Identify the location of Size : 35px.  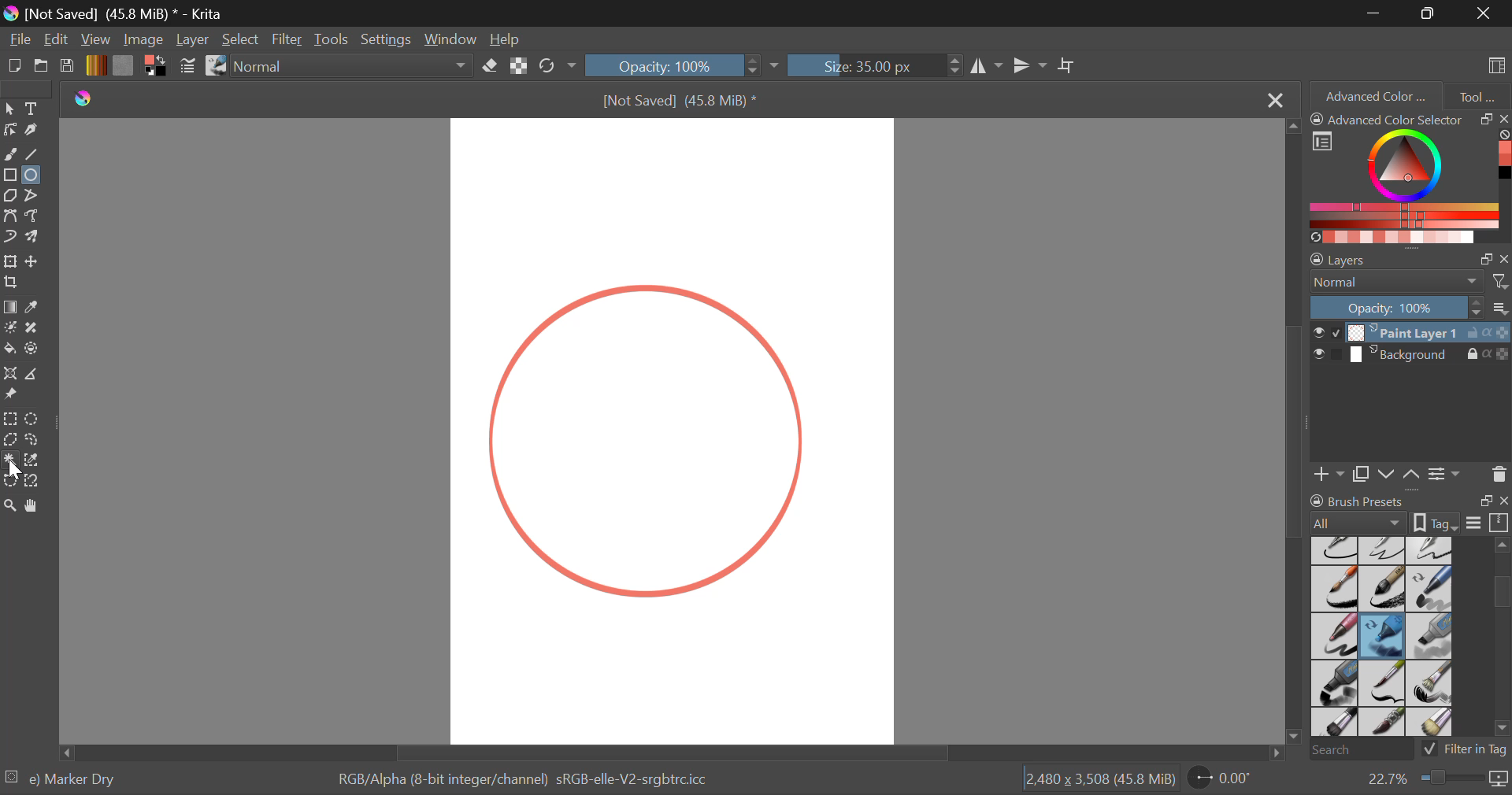
(874, 65).